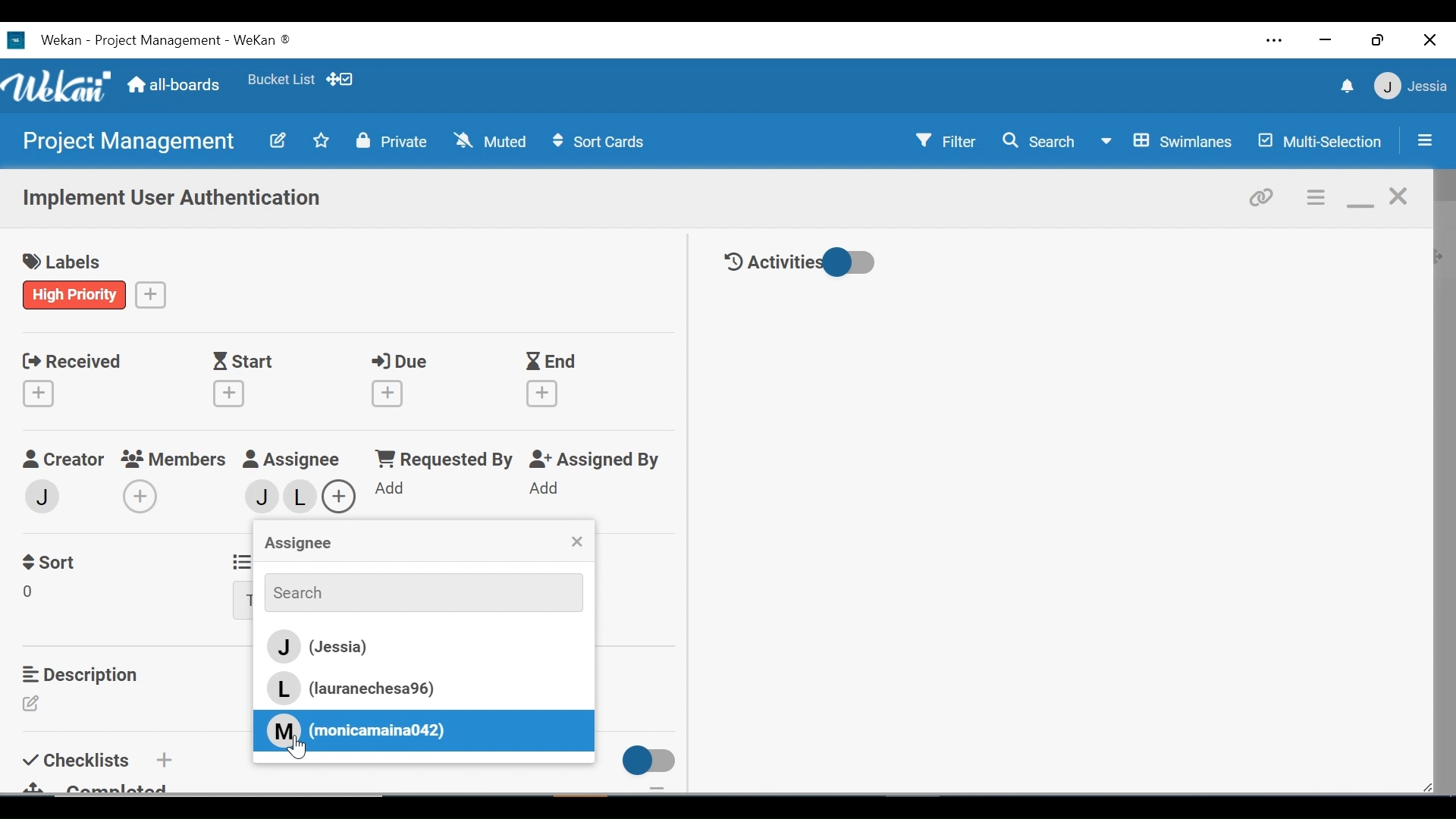  I want to click on Received Date, so click(71, 359).